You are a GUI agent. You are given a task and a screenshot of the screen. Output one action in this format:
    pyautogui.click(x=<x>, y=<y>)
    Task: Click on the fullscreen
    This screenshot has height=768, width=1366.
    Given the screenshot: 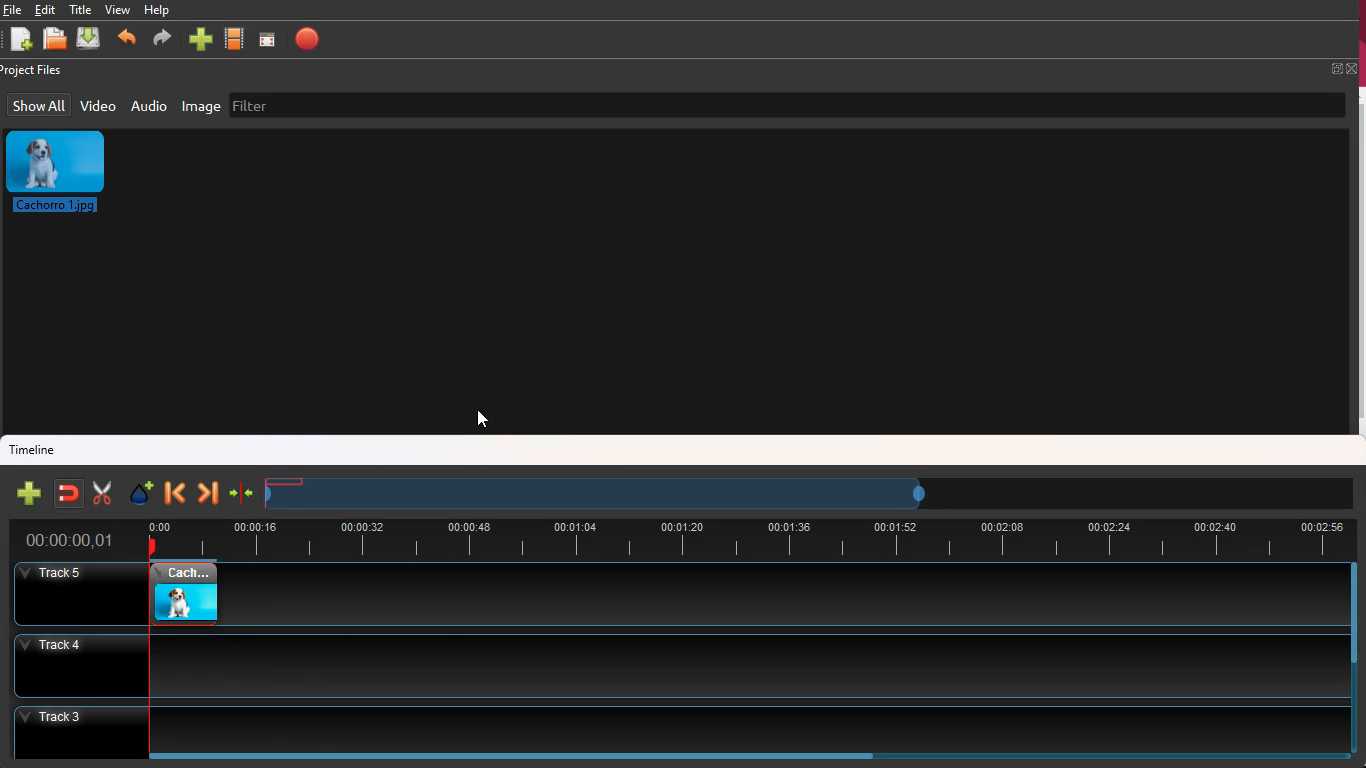 What is the action you would take?
    pyautogui.click(x=1342, y=66)
    